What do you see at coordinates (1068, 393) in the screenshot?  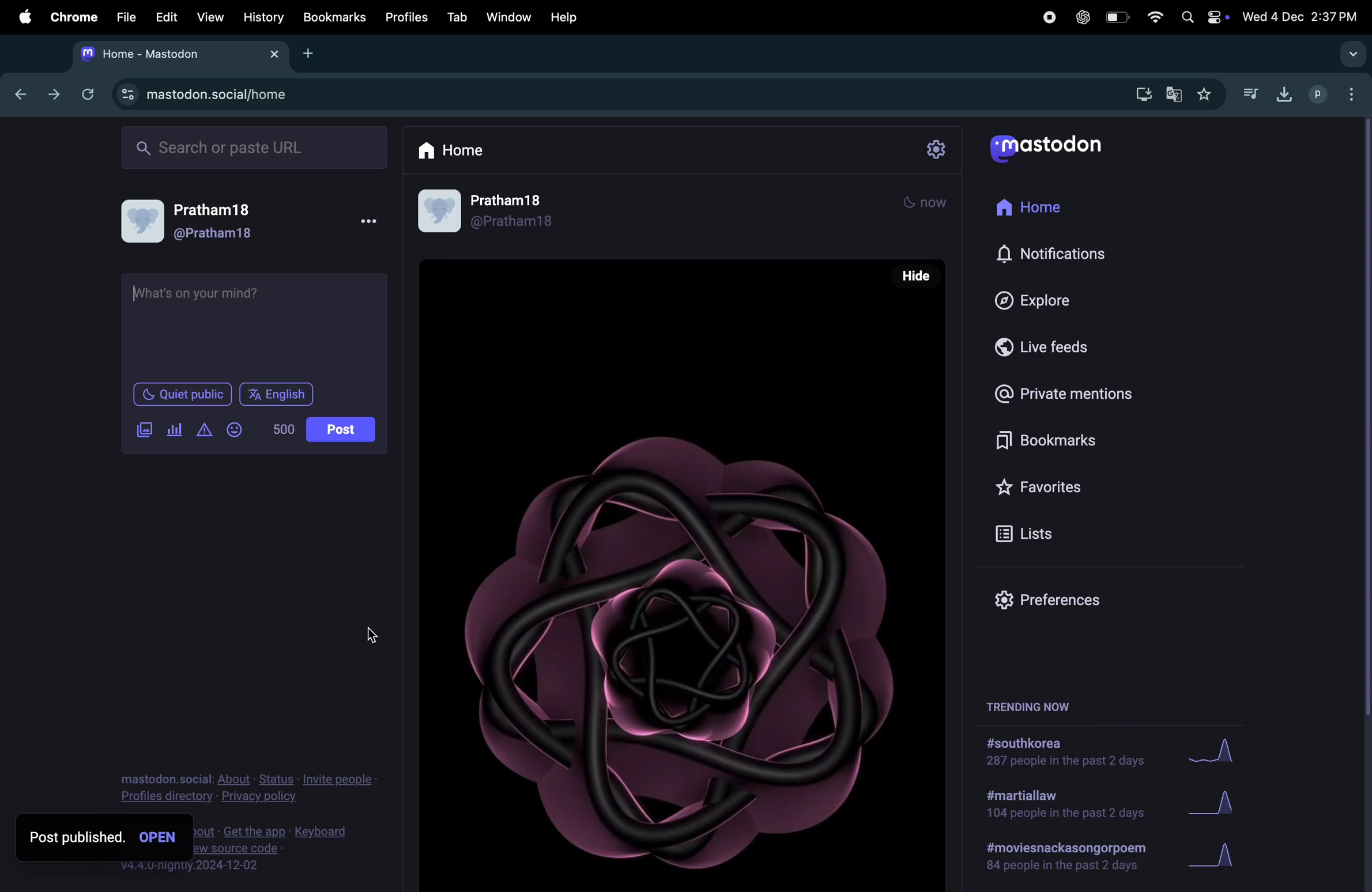 I see `private mentions` at bounding box center [1068, 393].